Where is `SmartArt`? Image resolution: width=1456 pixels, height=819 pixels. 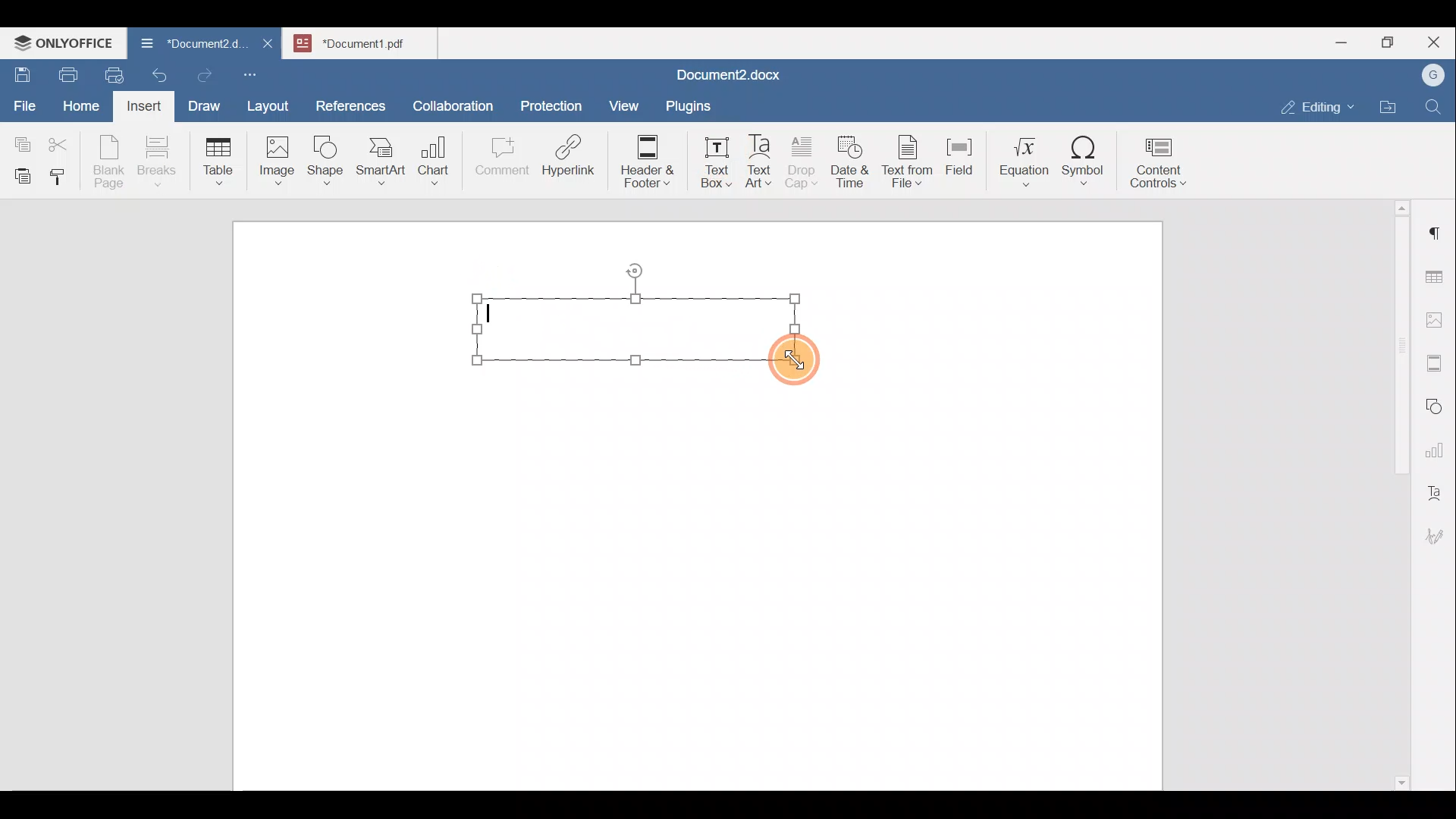 SmartArt is located at coordinates (378, 158).